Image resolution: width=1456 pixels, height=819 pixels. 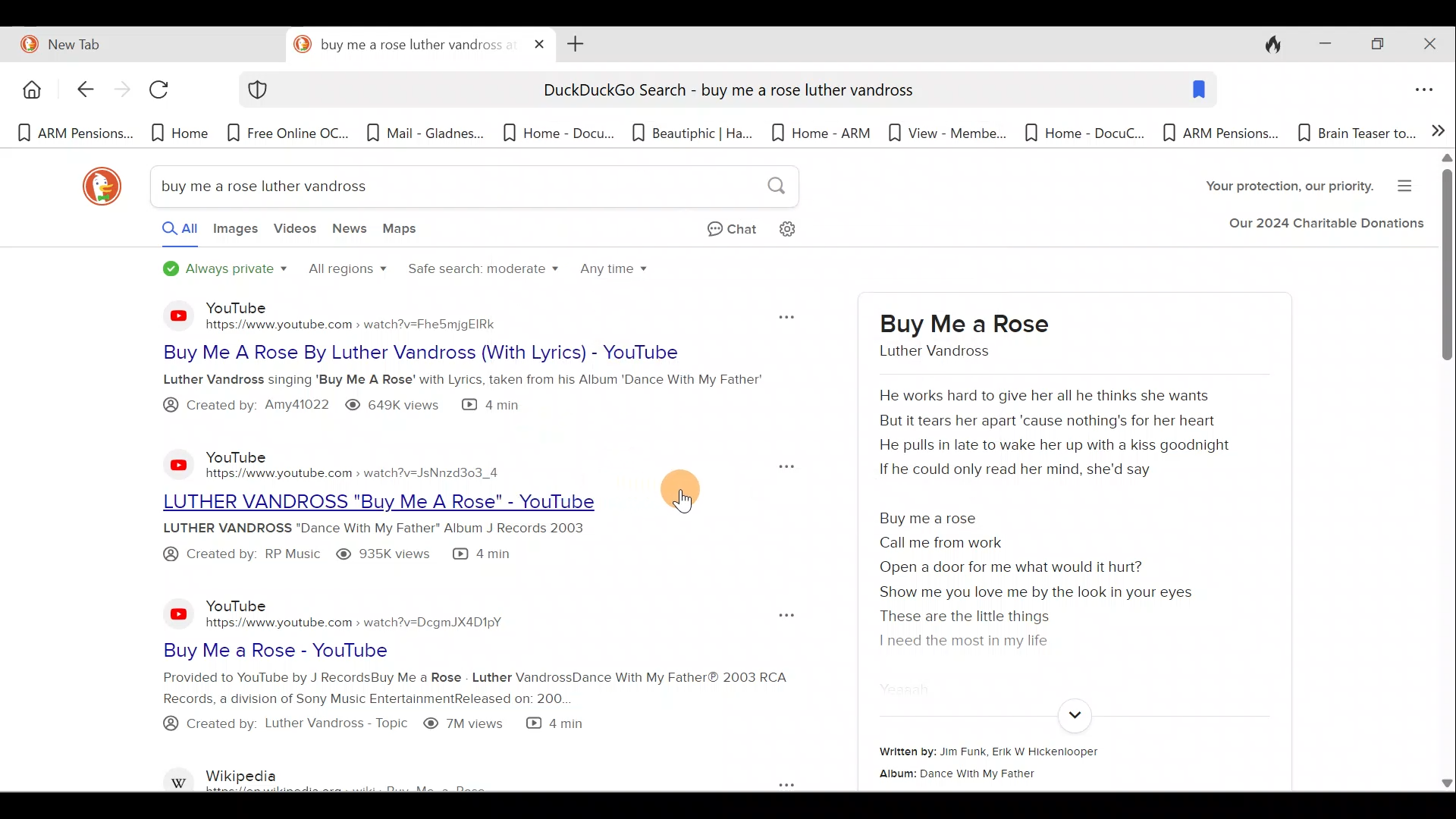 What do you see at coordinates (234, 233) in the screenshot?
I see `Images` at bounding box center [234, 233].